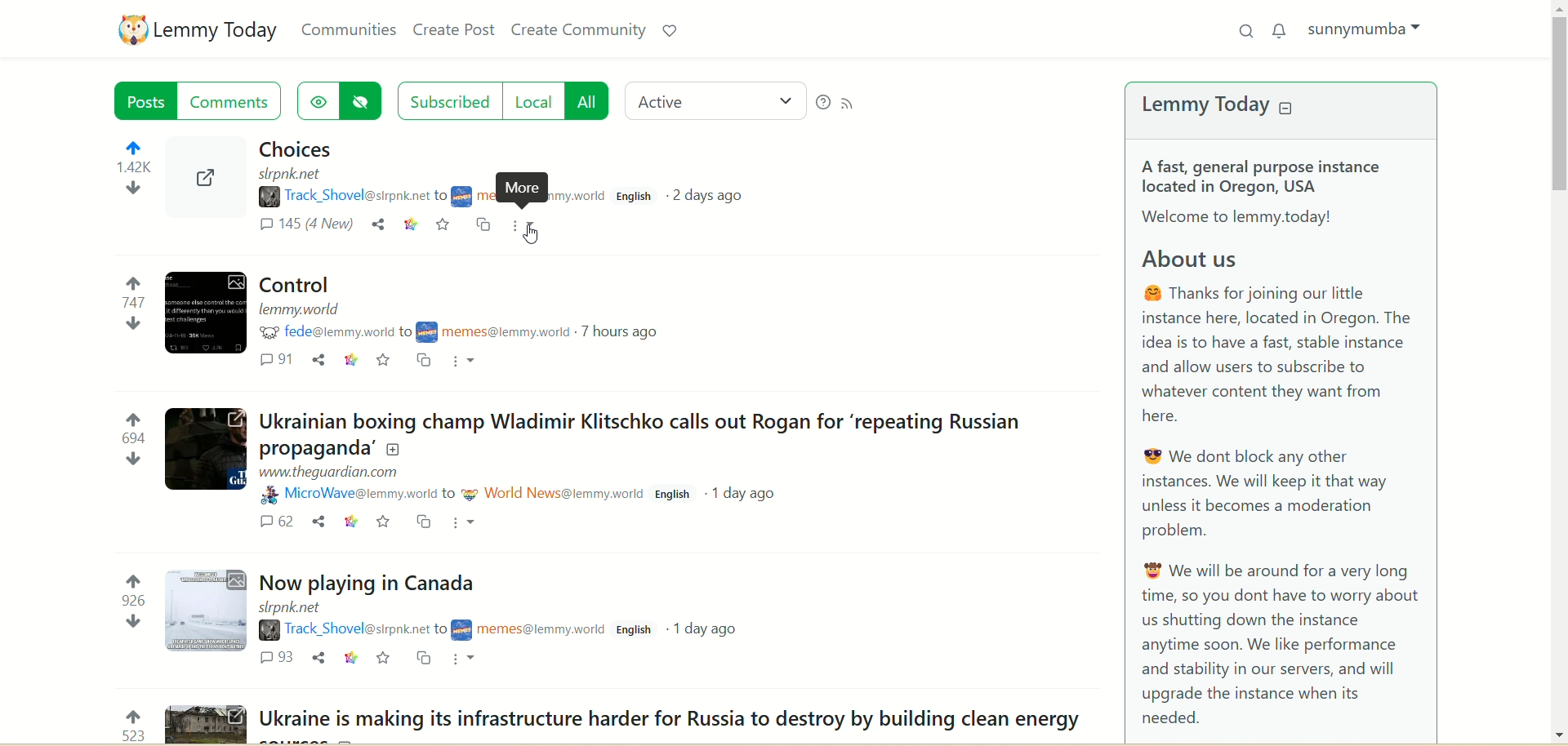 The width and height of the screenshot is (1568, 746). What do you see at coordinates (118, 443) in the screenshot?
I see `votes up and down` at bounding box center [118, 443].